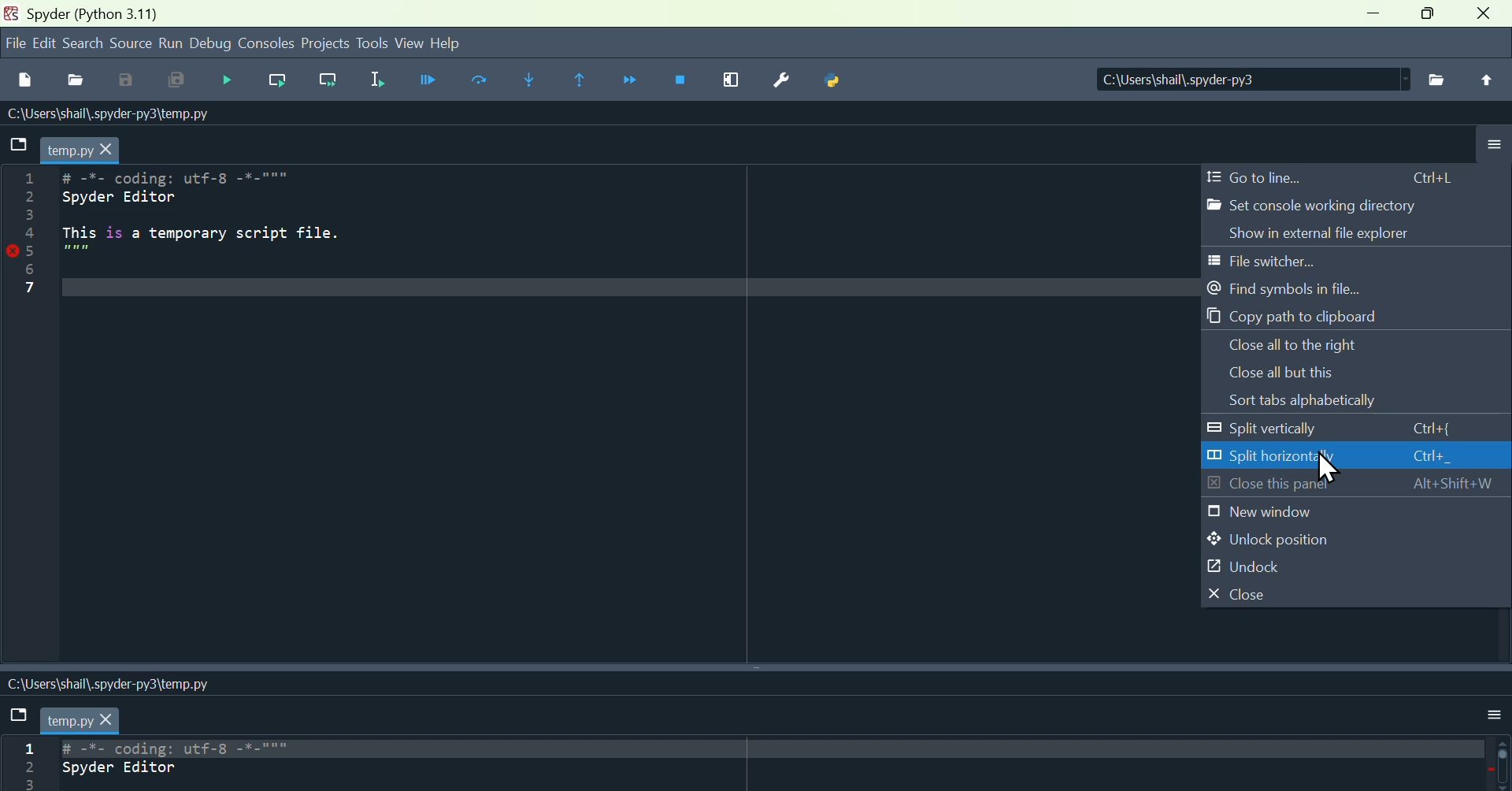 The height and width of the screenshot is (791, 1512). What do you see at coordinates (86, 45) in the screenshot?
I see `search` at bounding box center [86, 45].